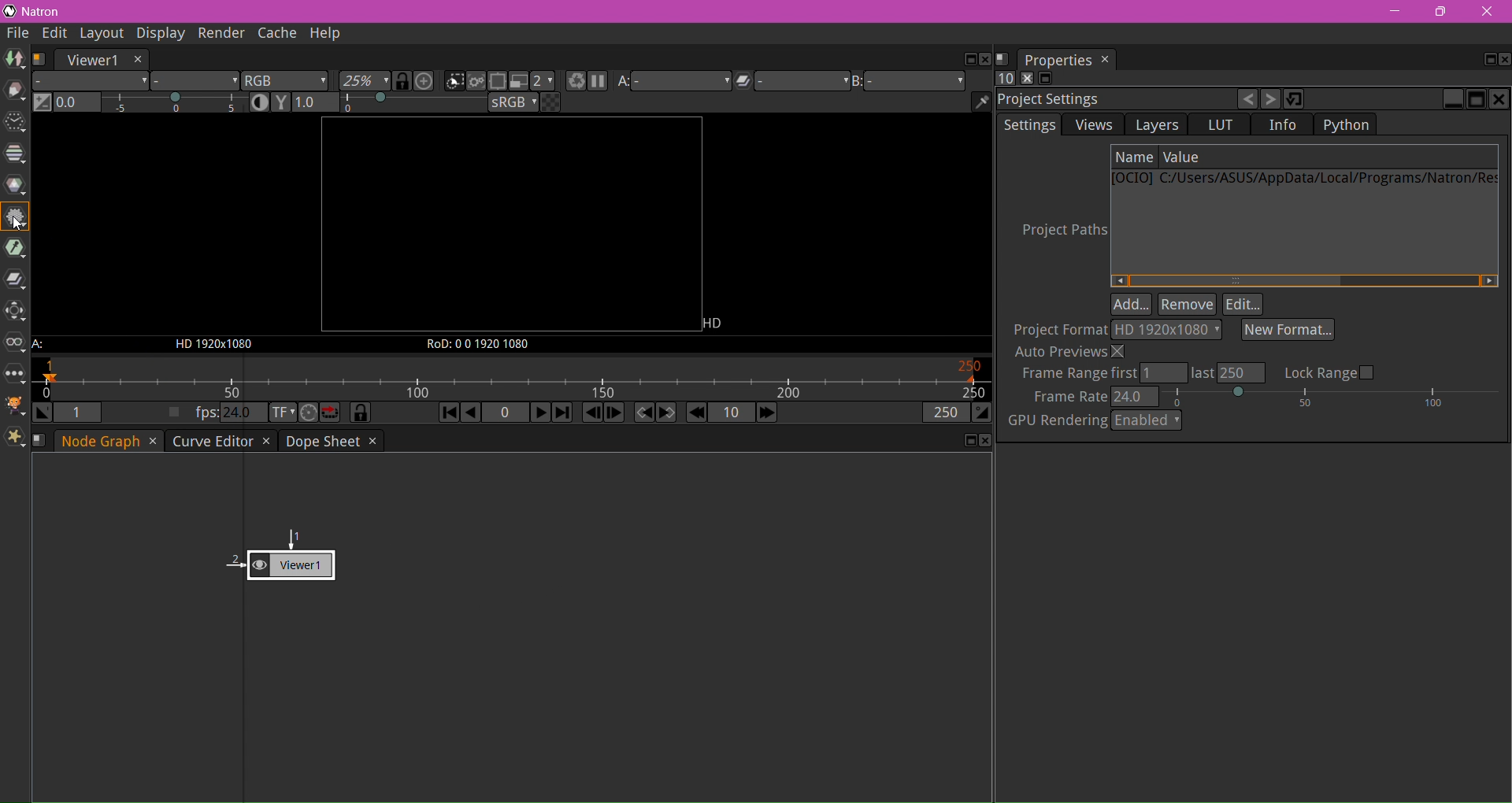 The image size is (1512, 803). Describe the element at coordinates (327, 34) in the screenshot. I see `Help` at that location.